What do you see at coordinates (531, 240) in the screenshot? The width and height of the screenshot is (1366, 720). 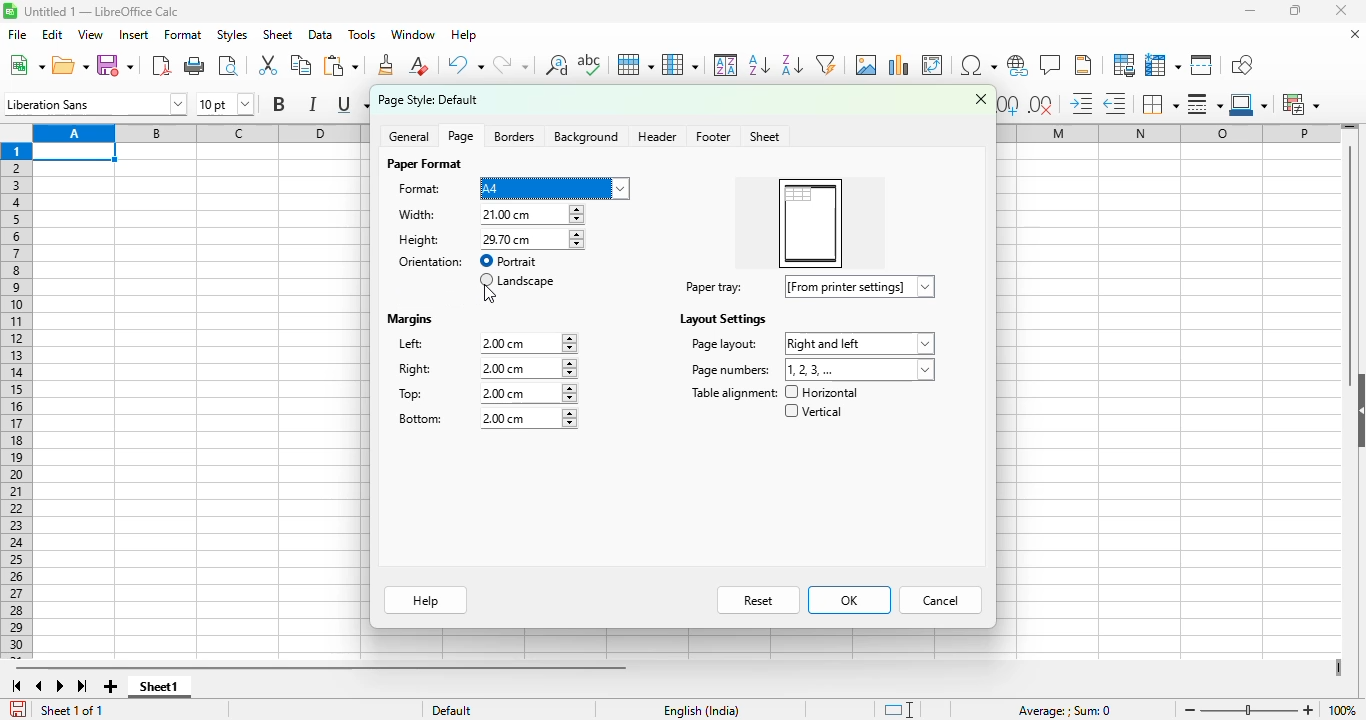 I see `29.70cm` at bounding box center [531, 240].